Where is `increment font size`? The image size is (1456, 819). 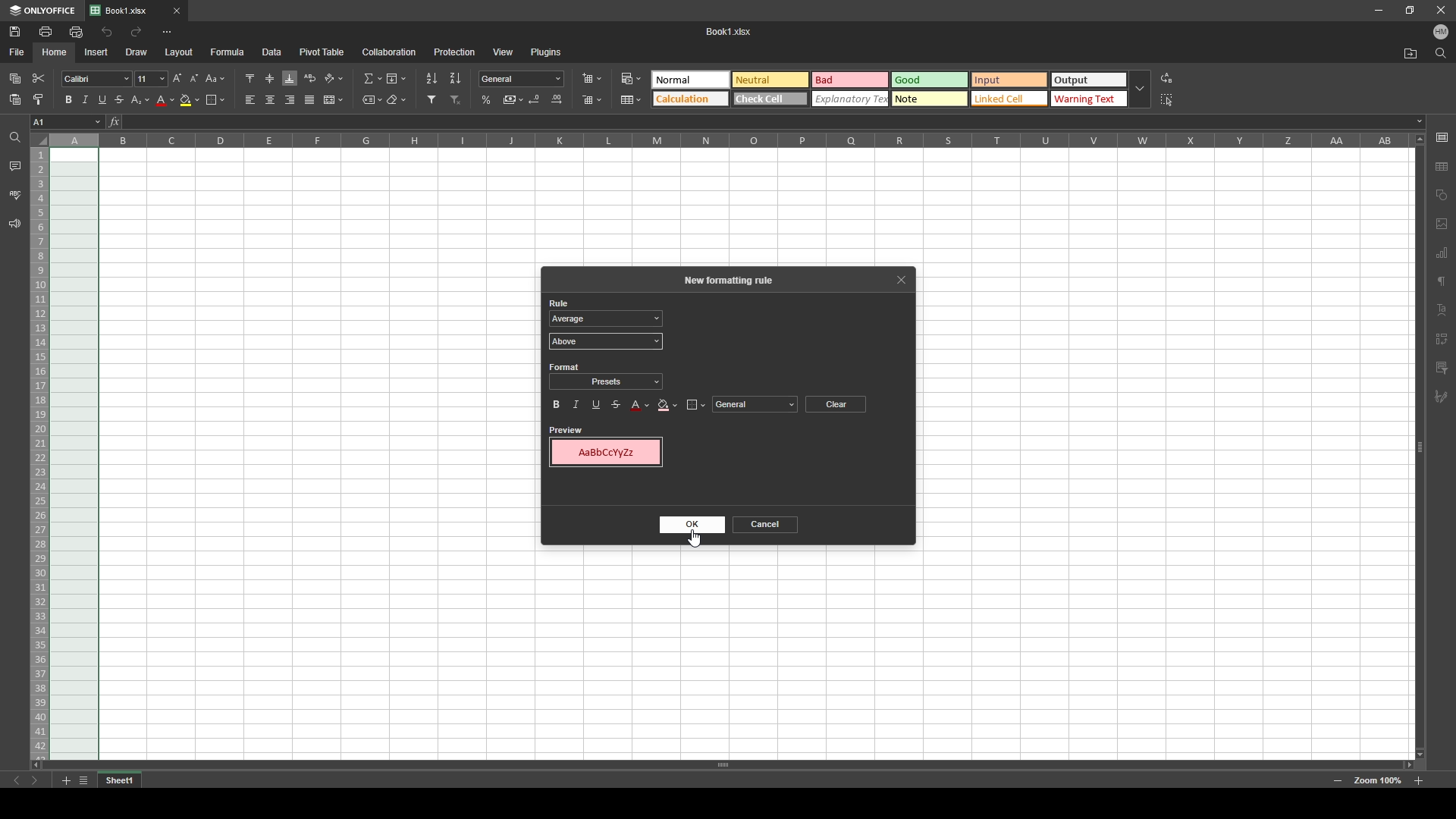 increment font size is located at coordinates (176, 78).